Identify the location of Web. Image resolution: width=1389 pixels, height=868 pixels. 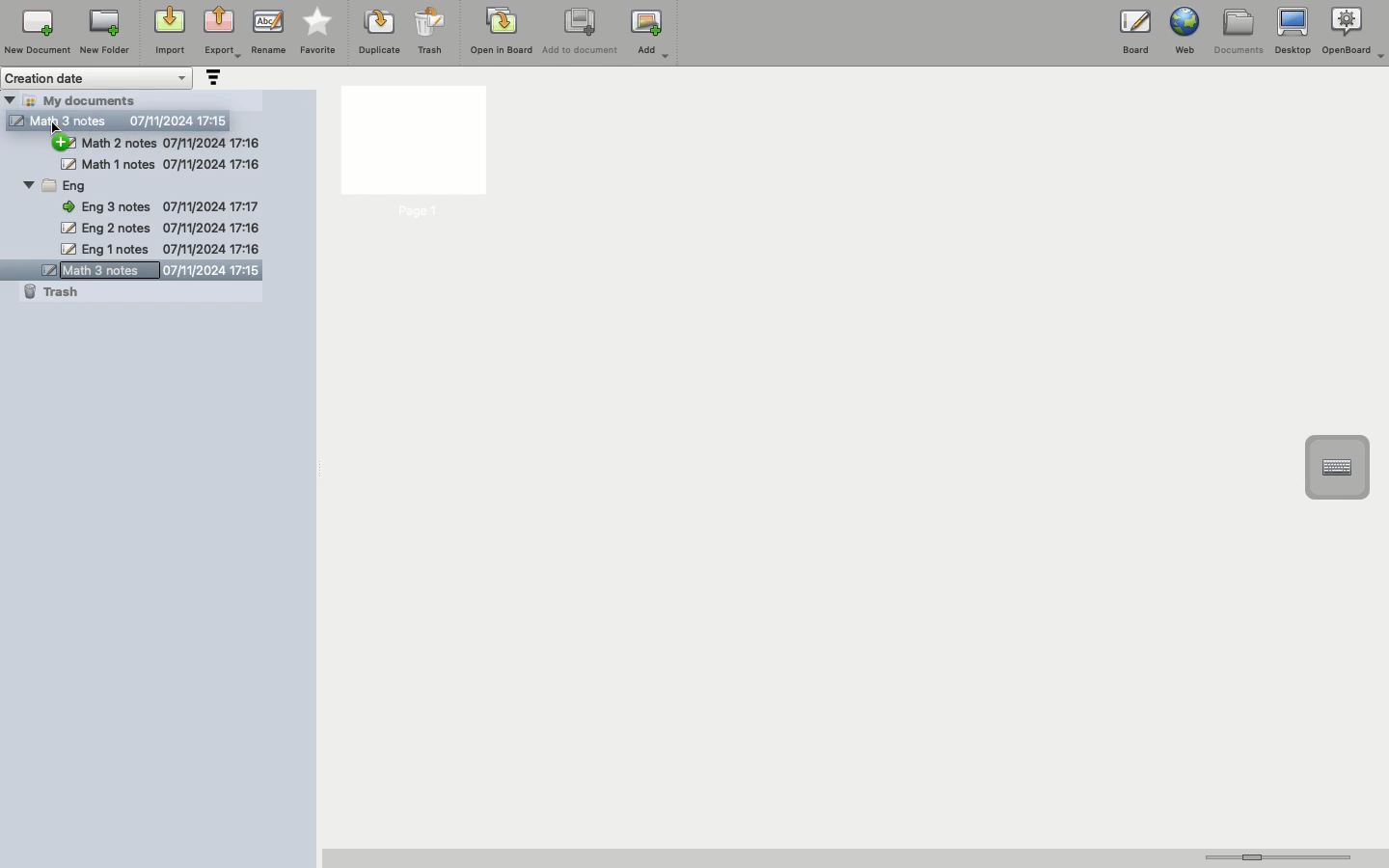
(1183, 31).